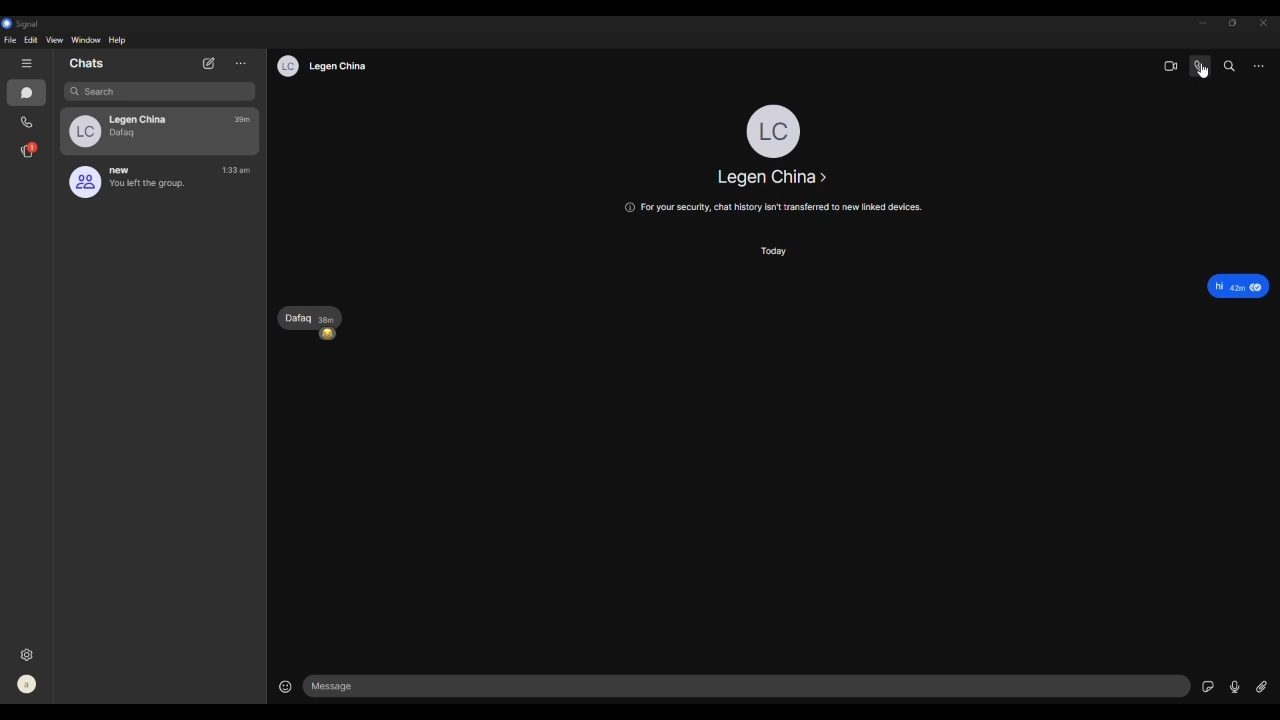  I want to click on delivered and read, so click(1262, 285).